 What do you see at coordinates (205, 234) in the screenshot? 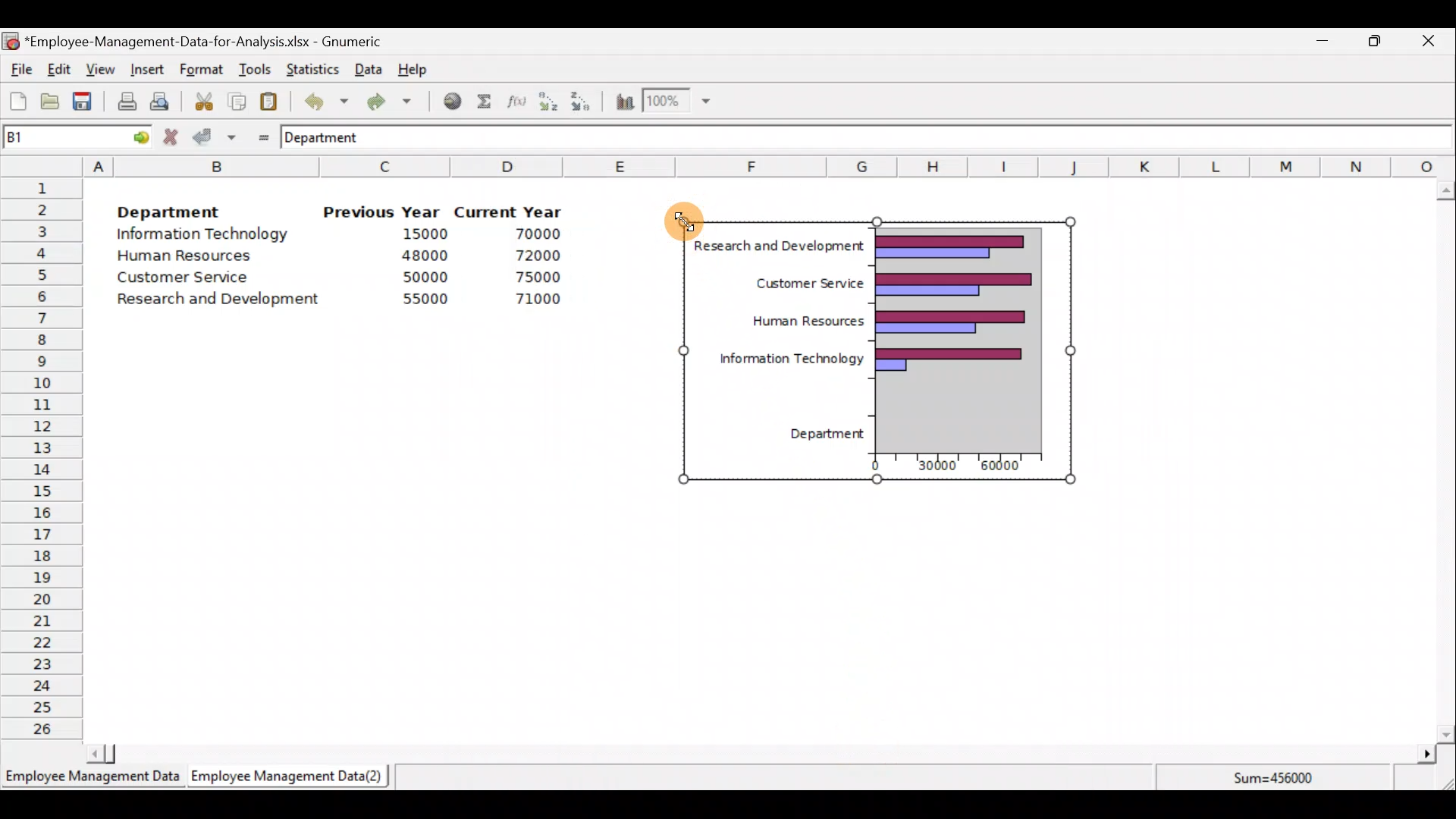
I see `Information Technology` at bounding box center [205, 234].